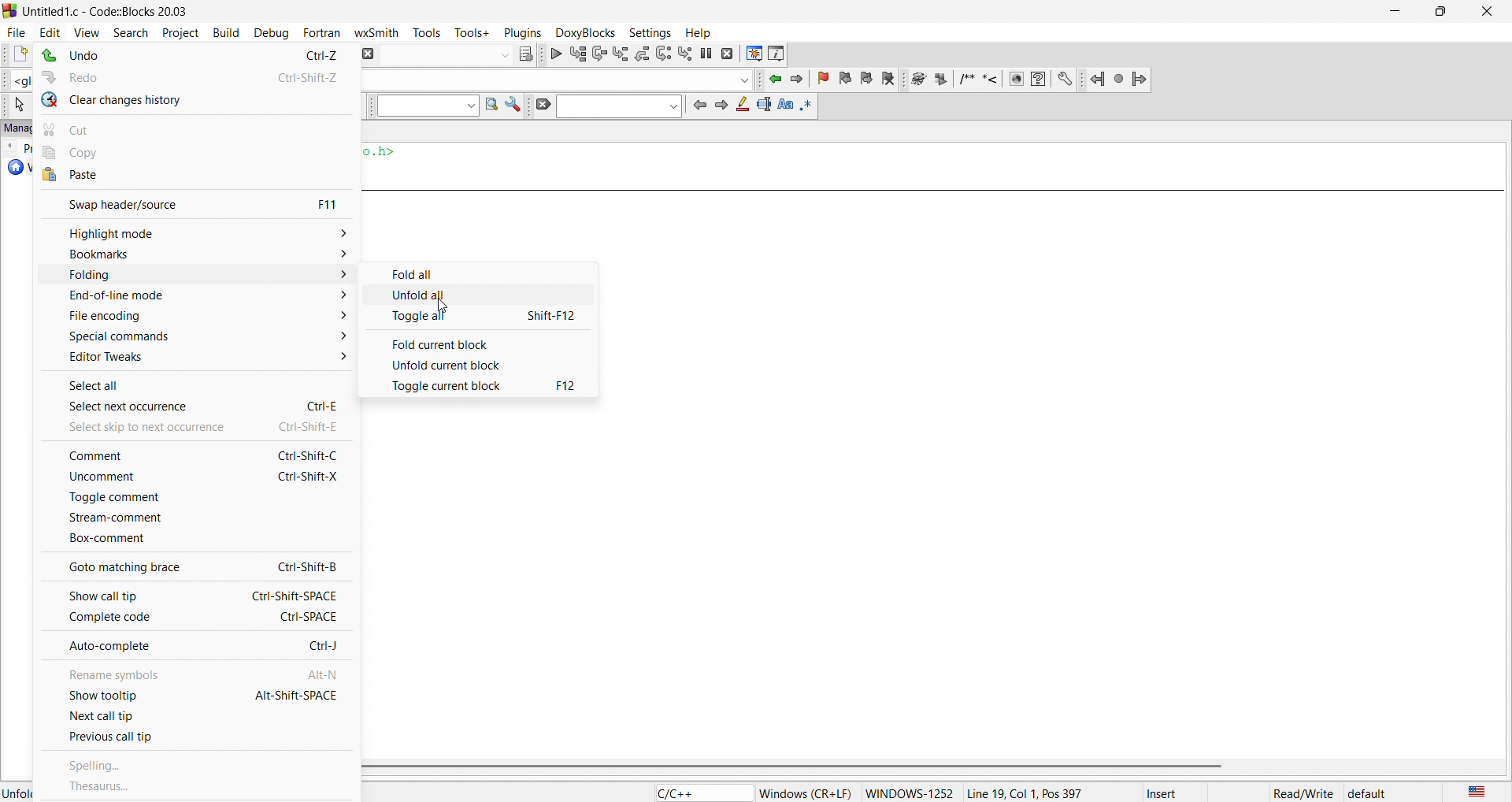  What do you see at coordinates (9, 9) in the screenshot?
I see `Code:Blocks` at bounding box center [9, 9].